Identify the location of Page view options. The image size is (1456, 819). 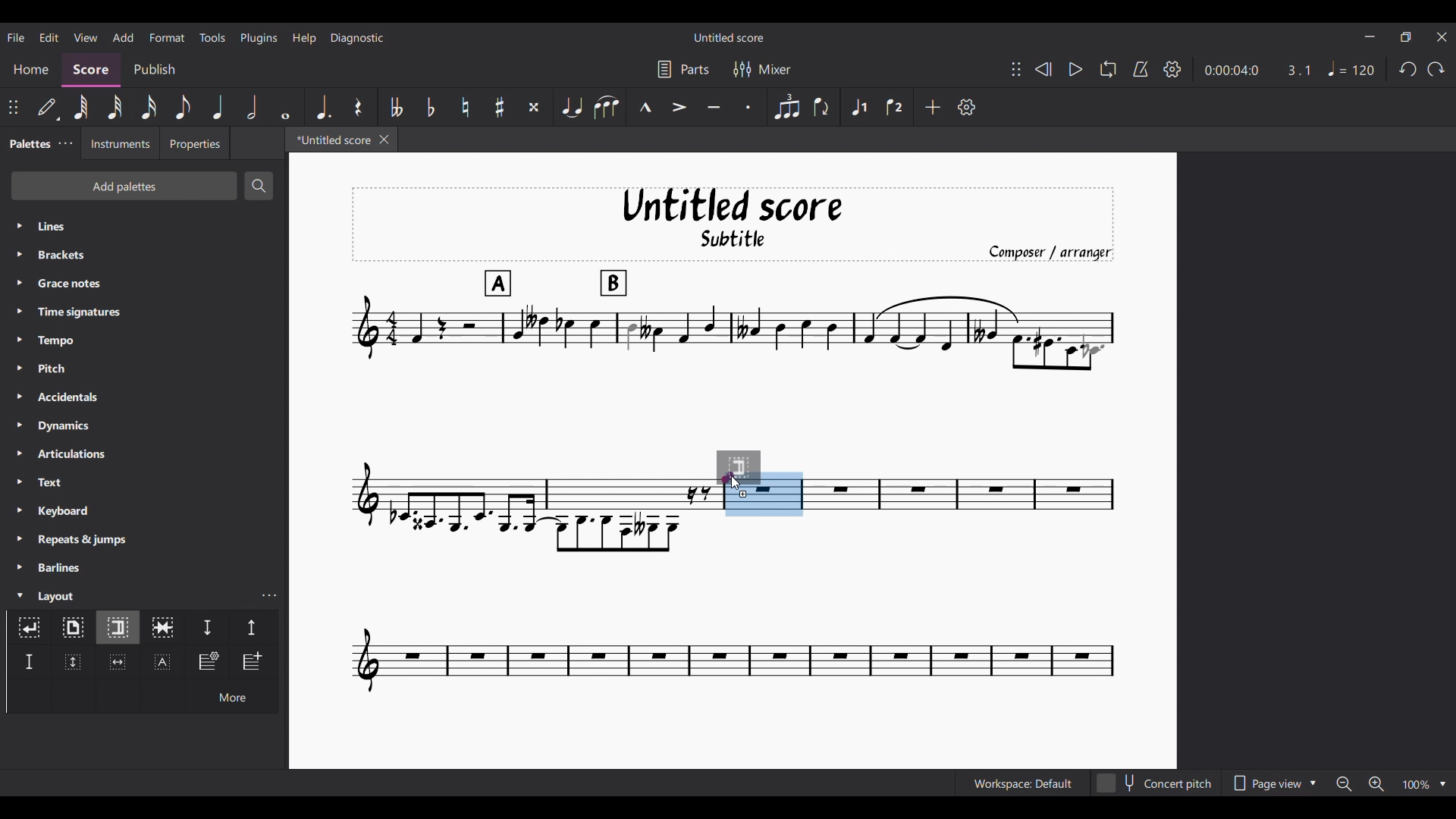
(1272, 783).